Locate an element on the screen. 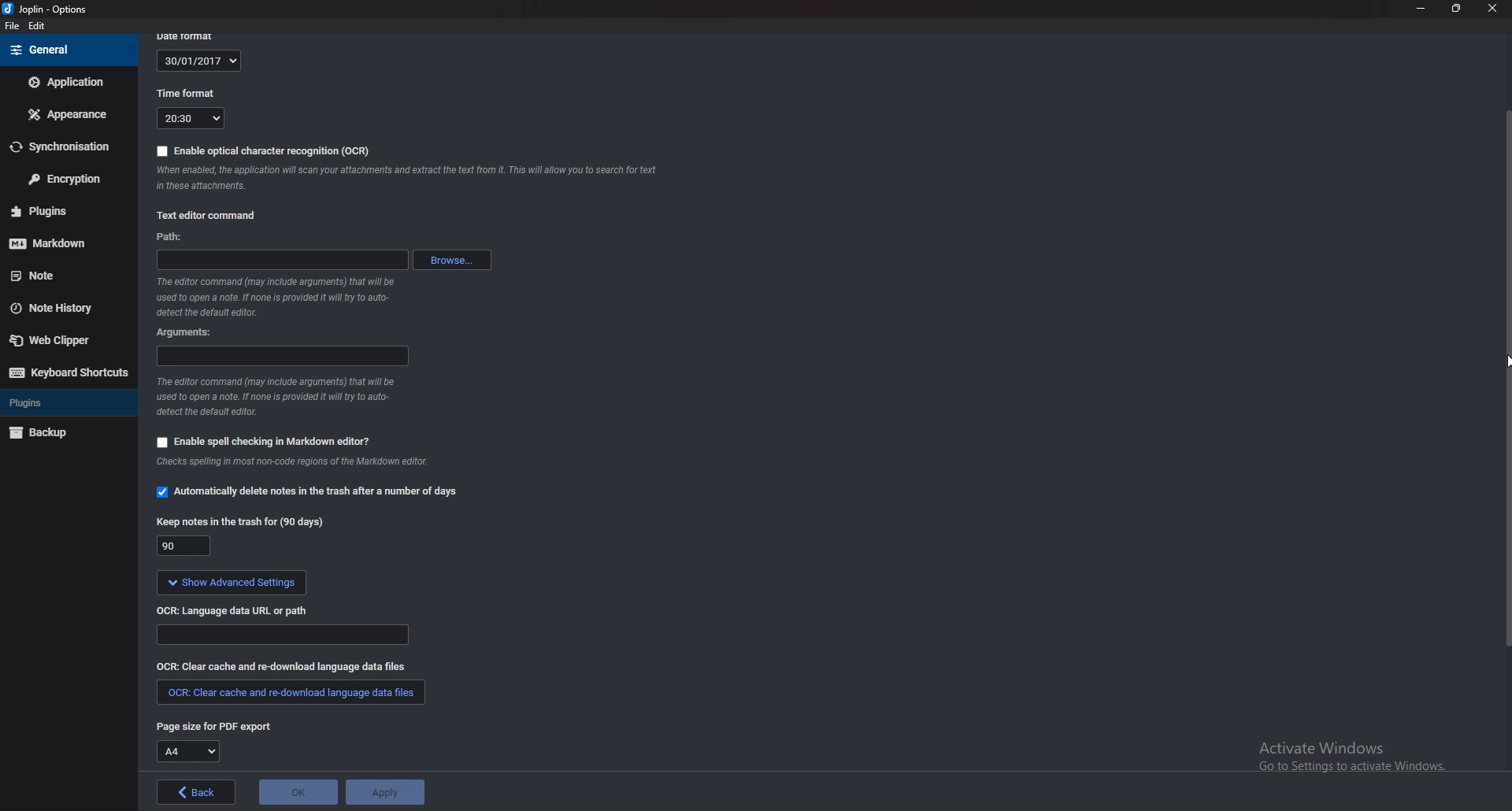  minimize is located at coordinates (1421, 10).